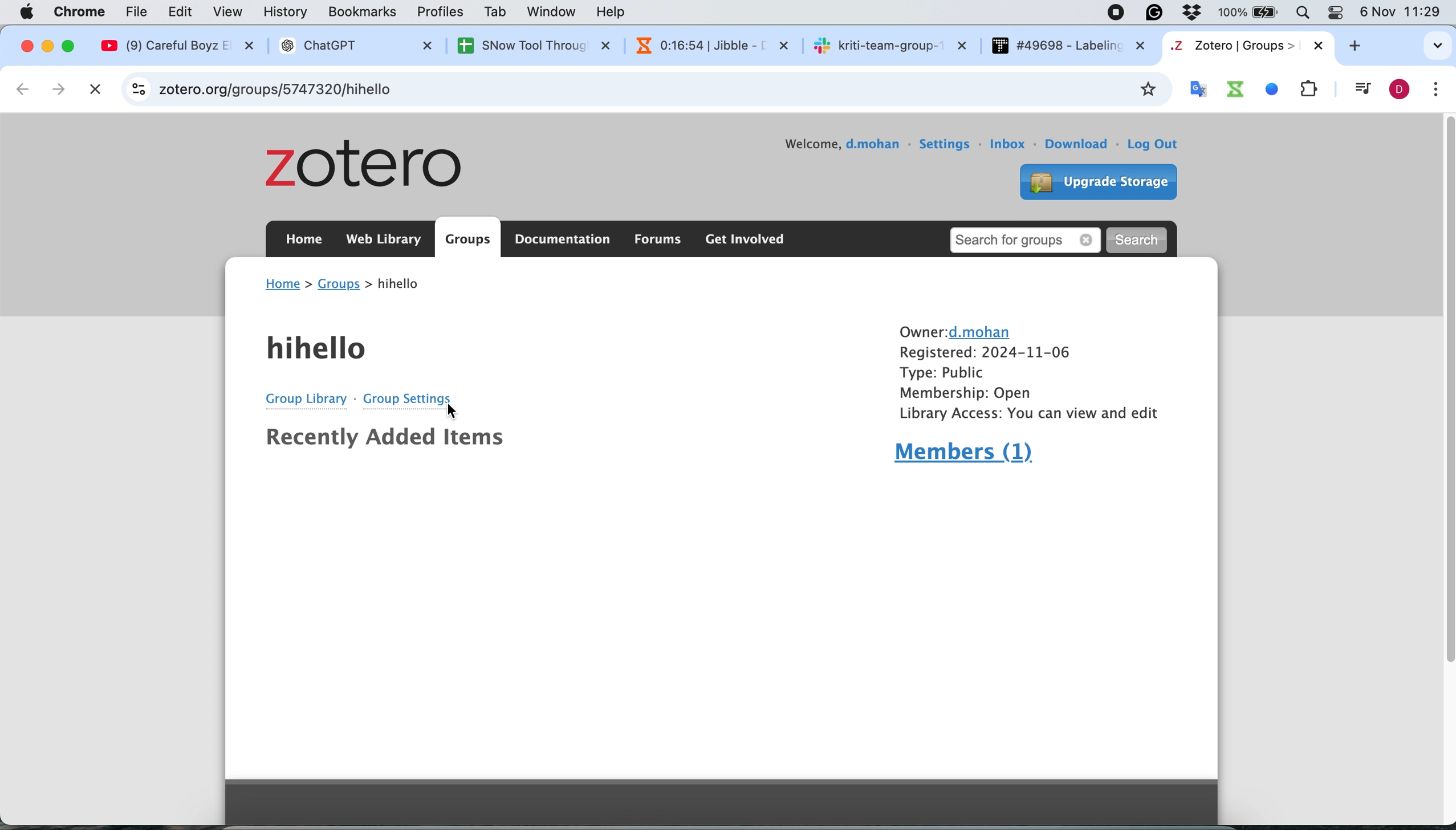  Describe the element at coordinates (363, 14) in the screenshot. I see `bookmarks` at that location.